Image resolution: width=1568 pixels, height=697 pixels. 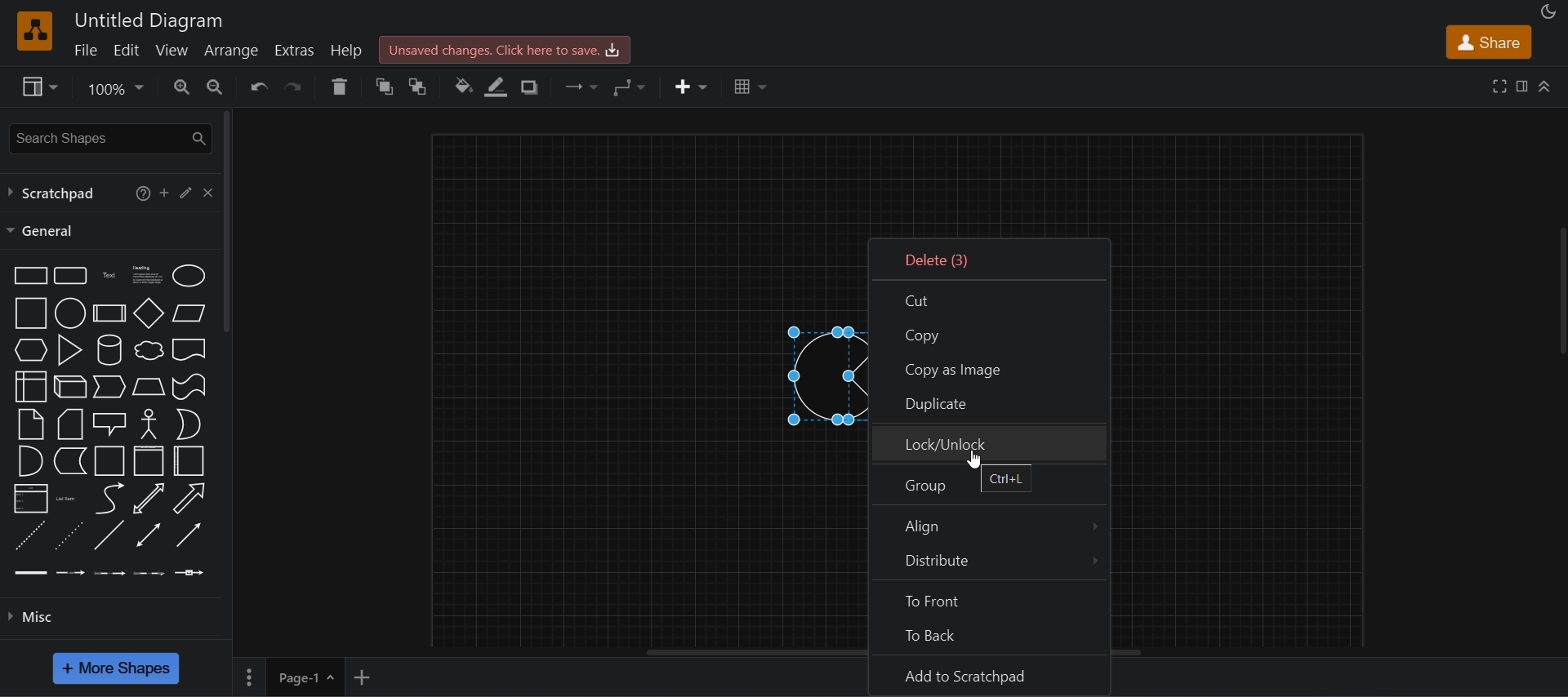 I want to click on fullscreen, so click(x=1500, y=85).